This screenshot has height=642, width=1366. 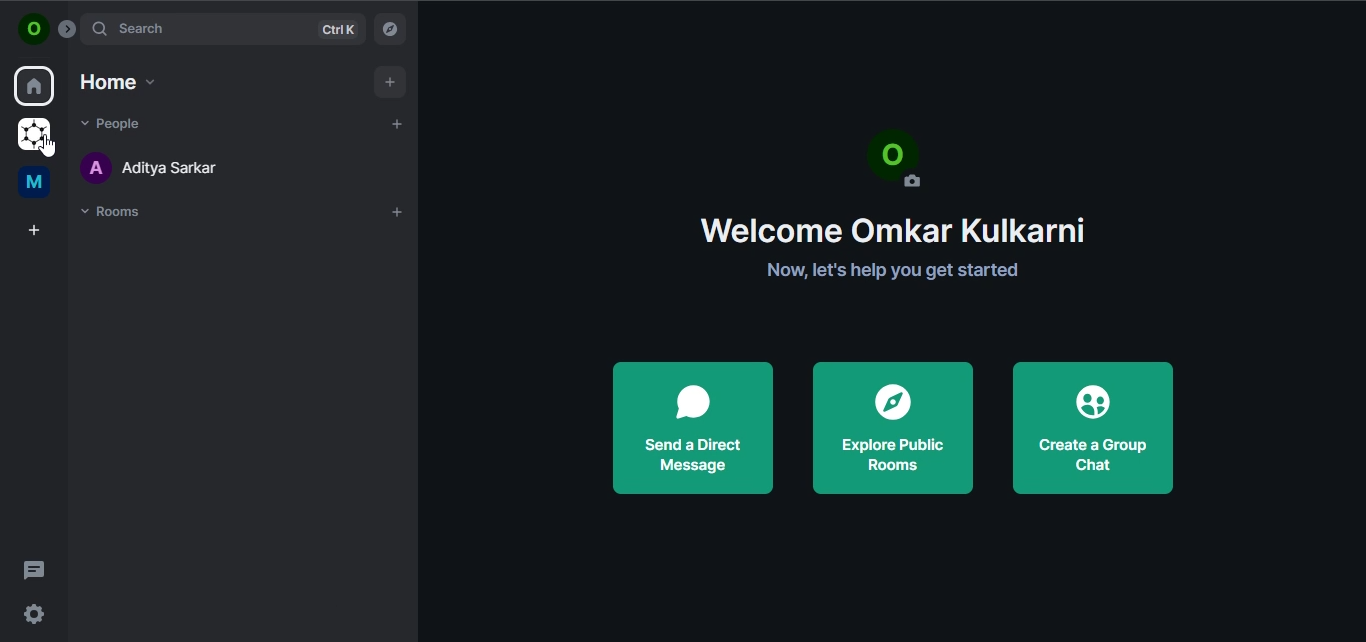 What do you see at coordinates (36, 231) in the screenshot?
I see `create a space` at bounding box center [36, 231].